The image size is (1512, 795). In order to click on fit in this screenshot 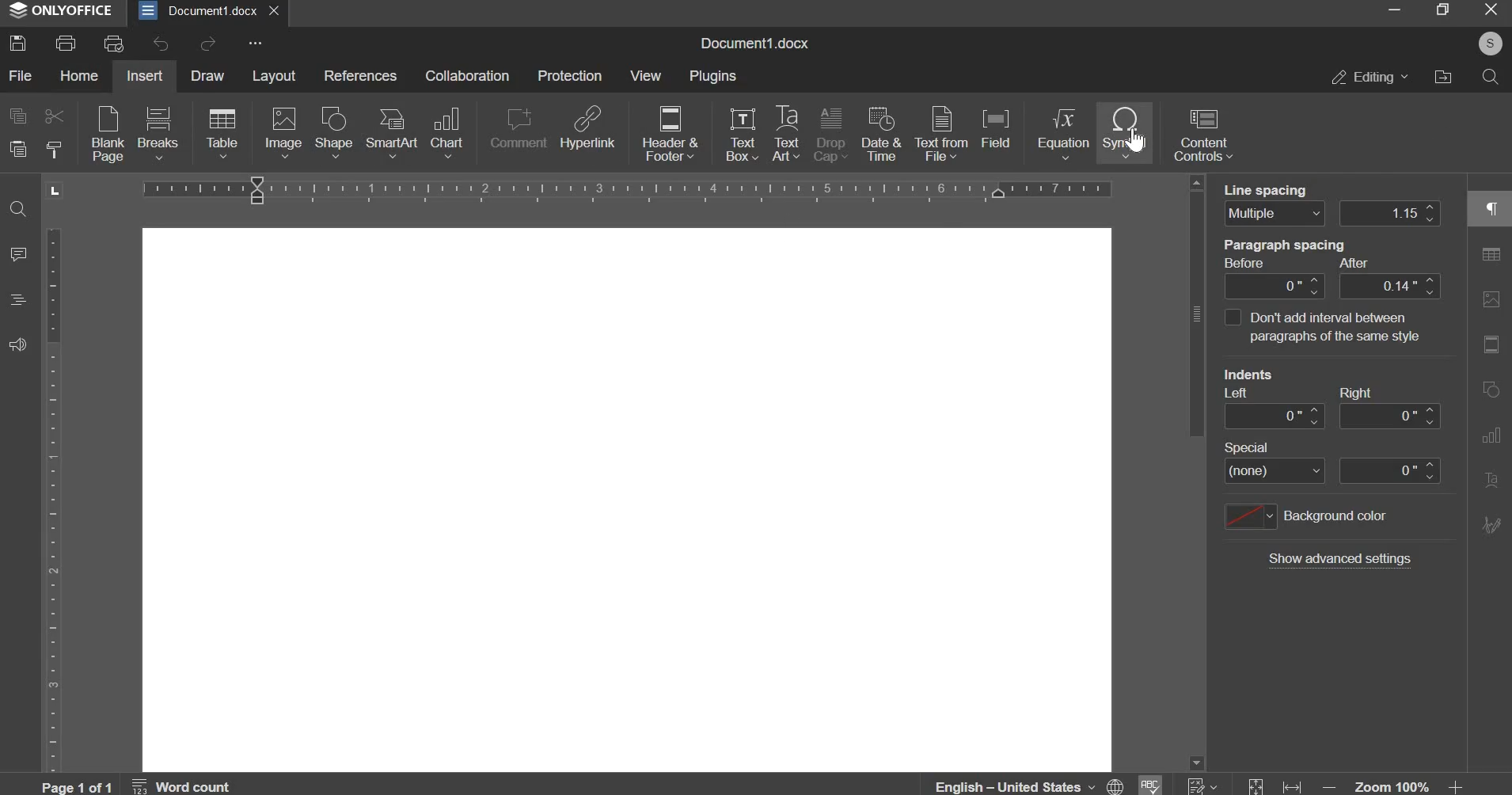, I will do `click(1272, 785)`.